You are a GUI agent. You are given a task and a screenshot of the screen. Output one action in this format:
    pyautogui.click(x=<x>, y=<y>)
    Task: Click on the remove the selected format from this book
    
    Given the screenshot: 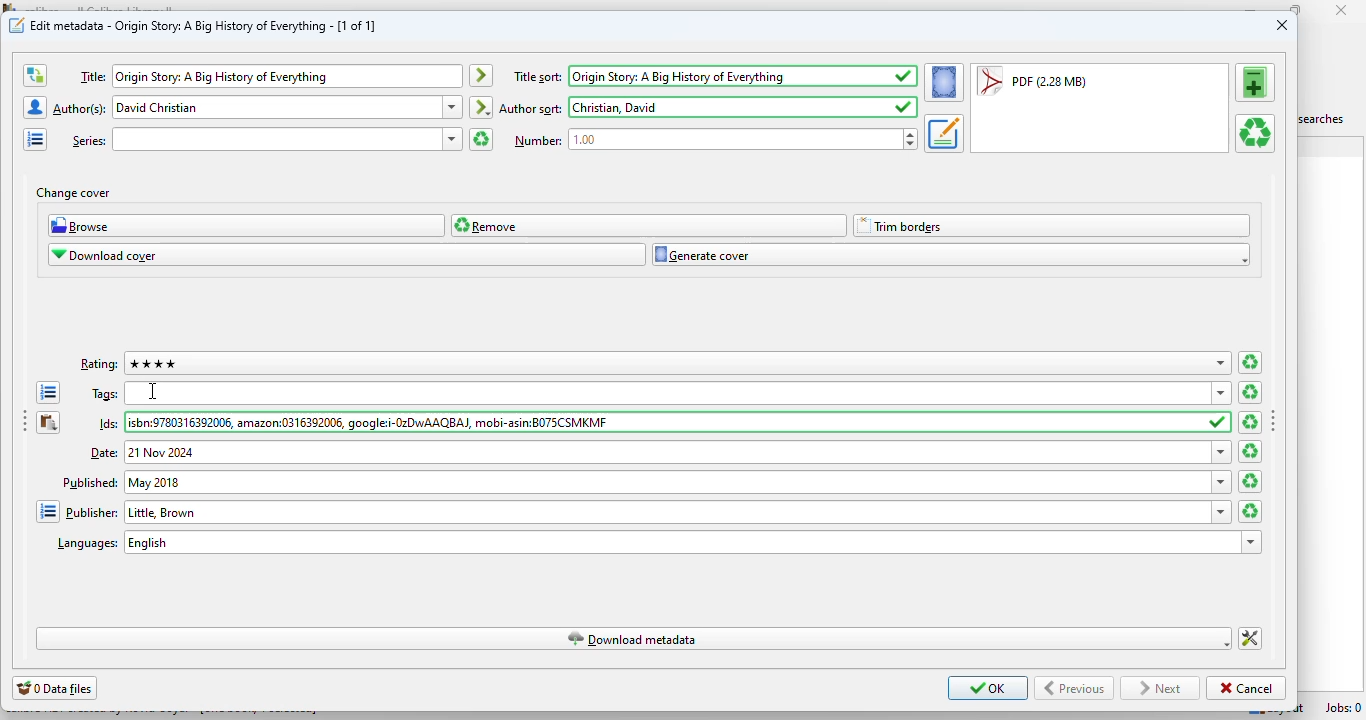 What is the action you would take?
    pyautogui.click(x=1256, y=134)
    